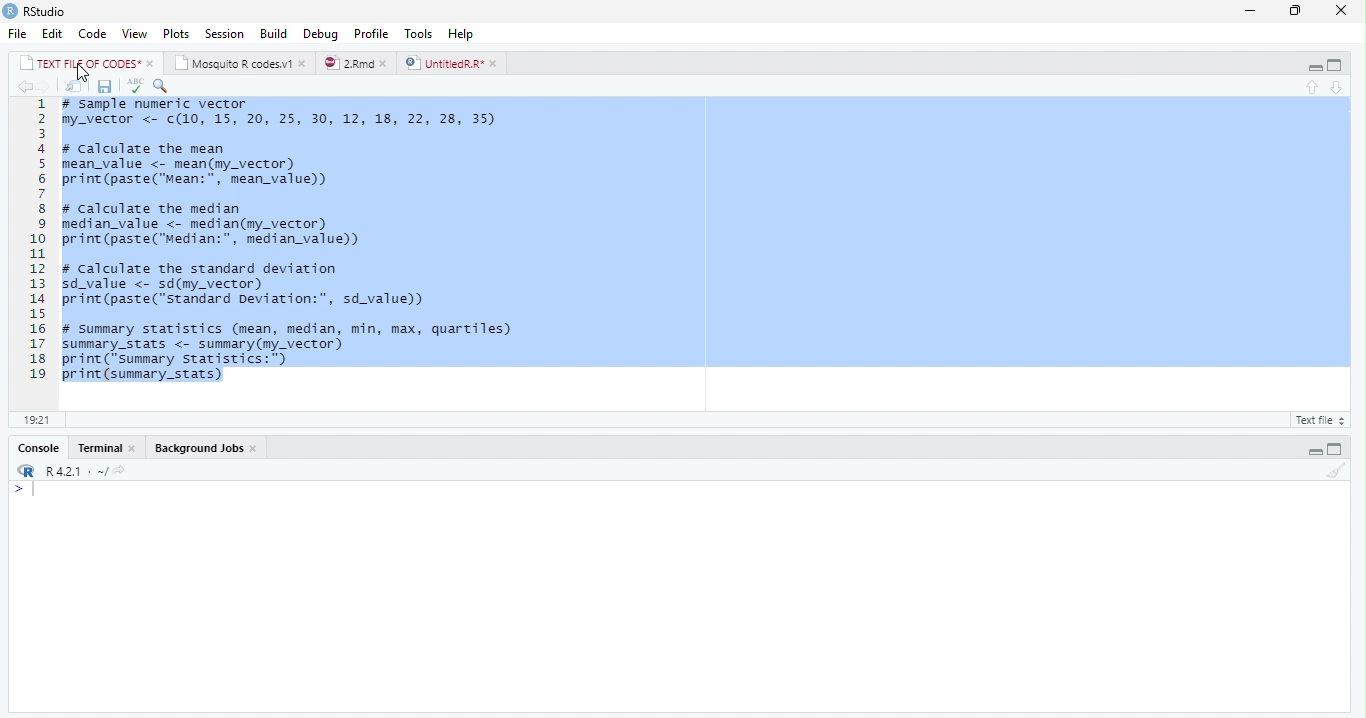 The height and width of the screenshot is (718, 1366). What do you see at coordinates (161, 86) in the screenshot?
I see `find and replace` at bounding box center [161, 86].